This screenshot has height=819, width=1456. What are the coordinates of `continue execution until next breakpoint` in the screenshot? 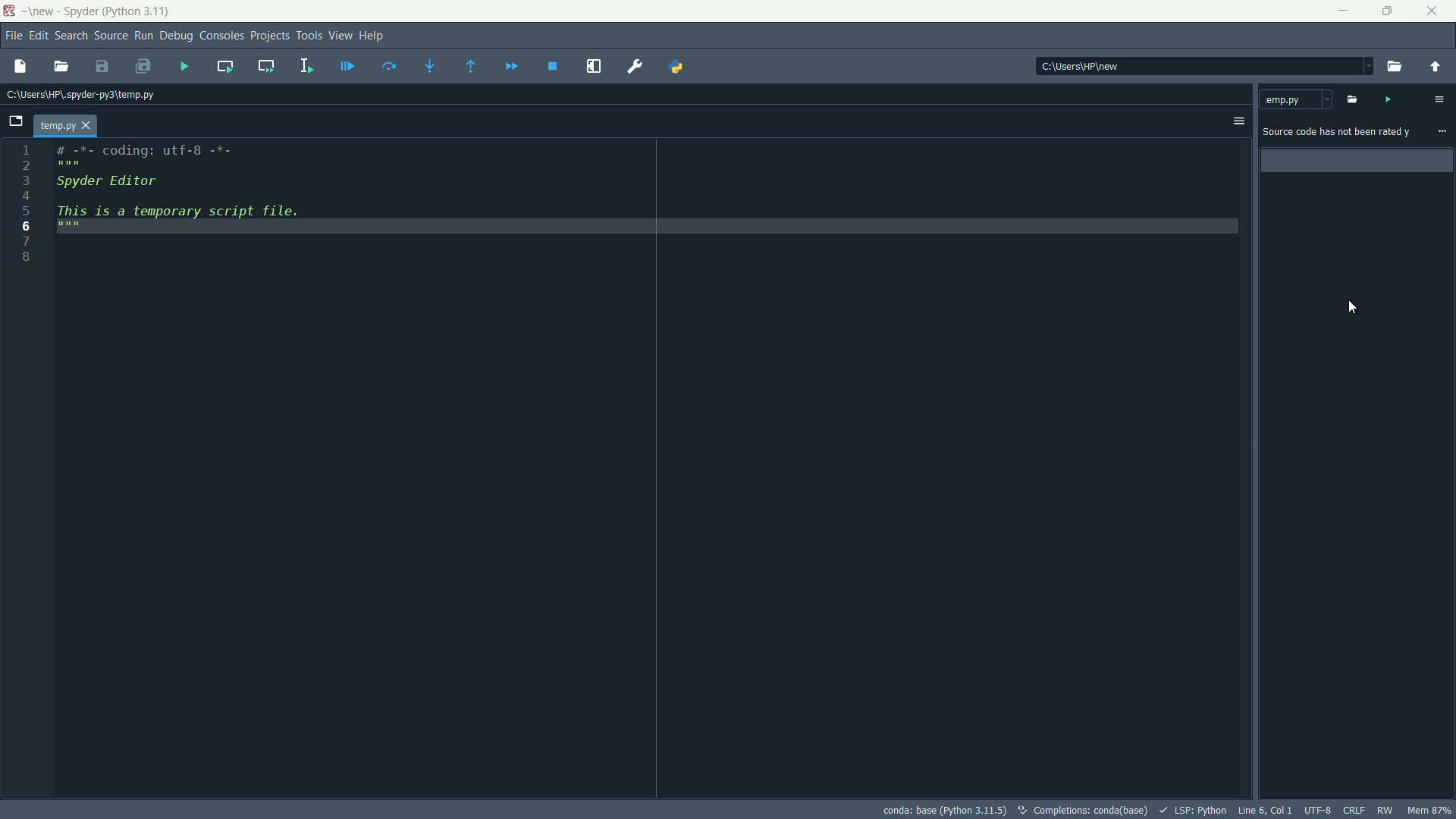 It's located at (512, 67).